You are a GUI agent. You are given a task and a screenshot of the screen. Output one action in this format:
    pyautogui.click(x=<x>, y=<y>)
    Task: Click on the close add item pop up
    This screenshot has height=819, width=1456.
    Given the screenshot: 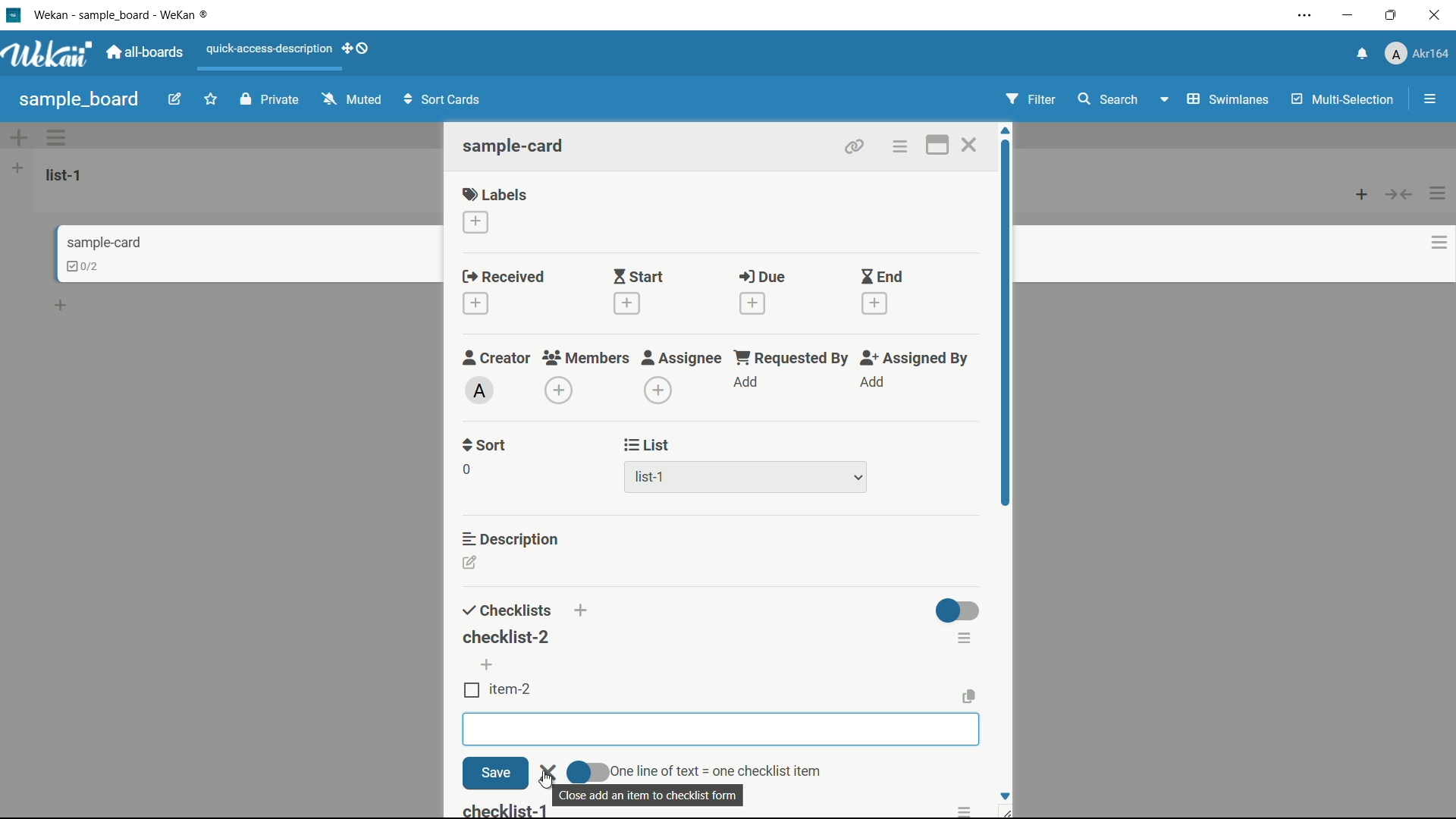 What is the action you would take?
    pyautogui.click(x=653, y=795)
    